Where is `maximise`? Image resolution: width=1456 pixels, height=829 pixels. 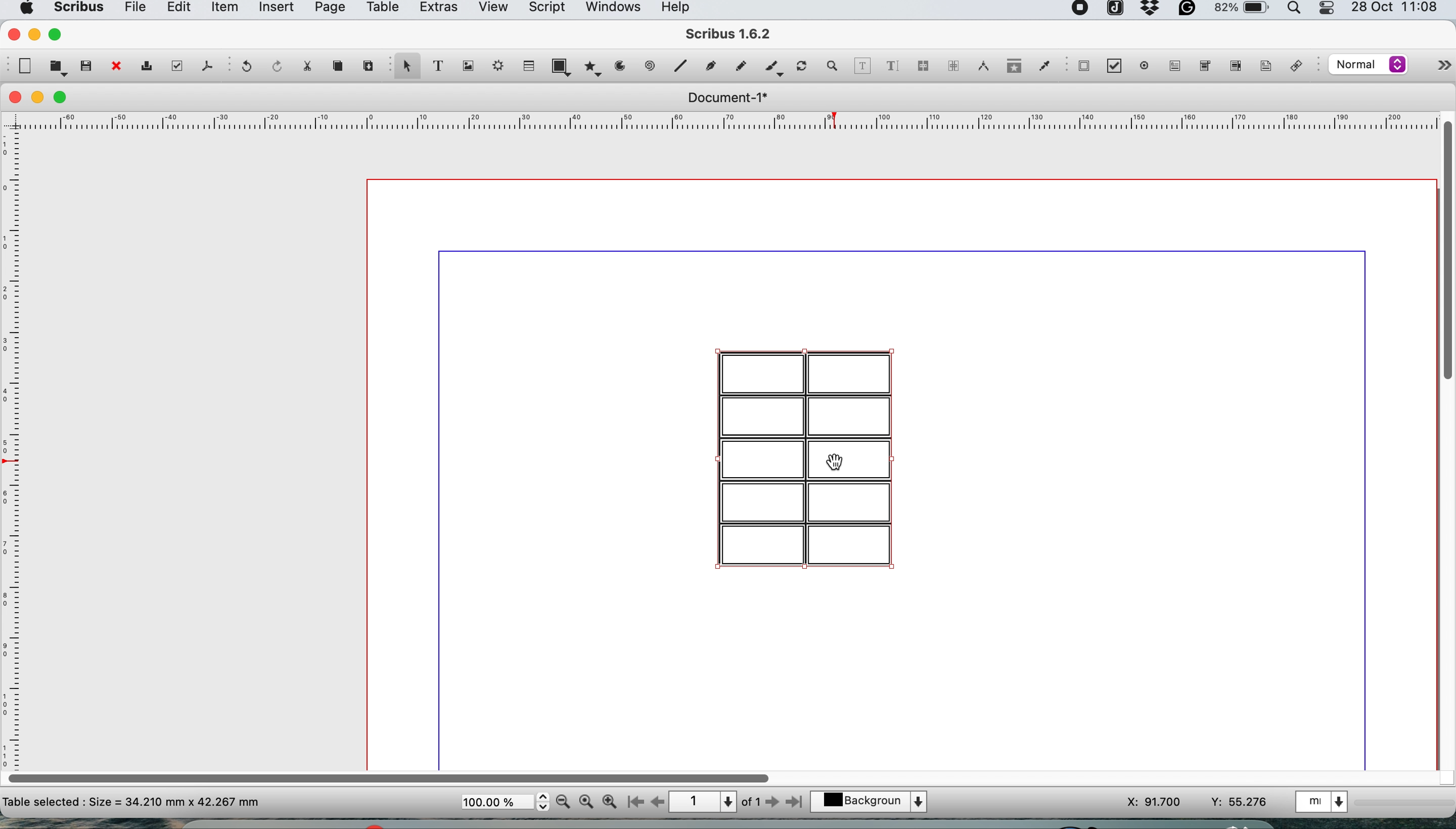
maximise is located at coordinates (64, 98).